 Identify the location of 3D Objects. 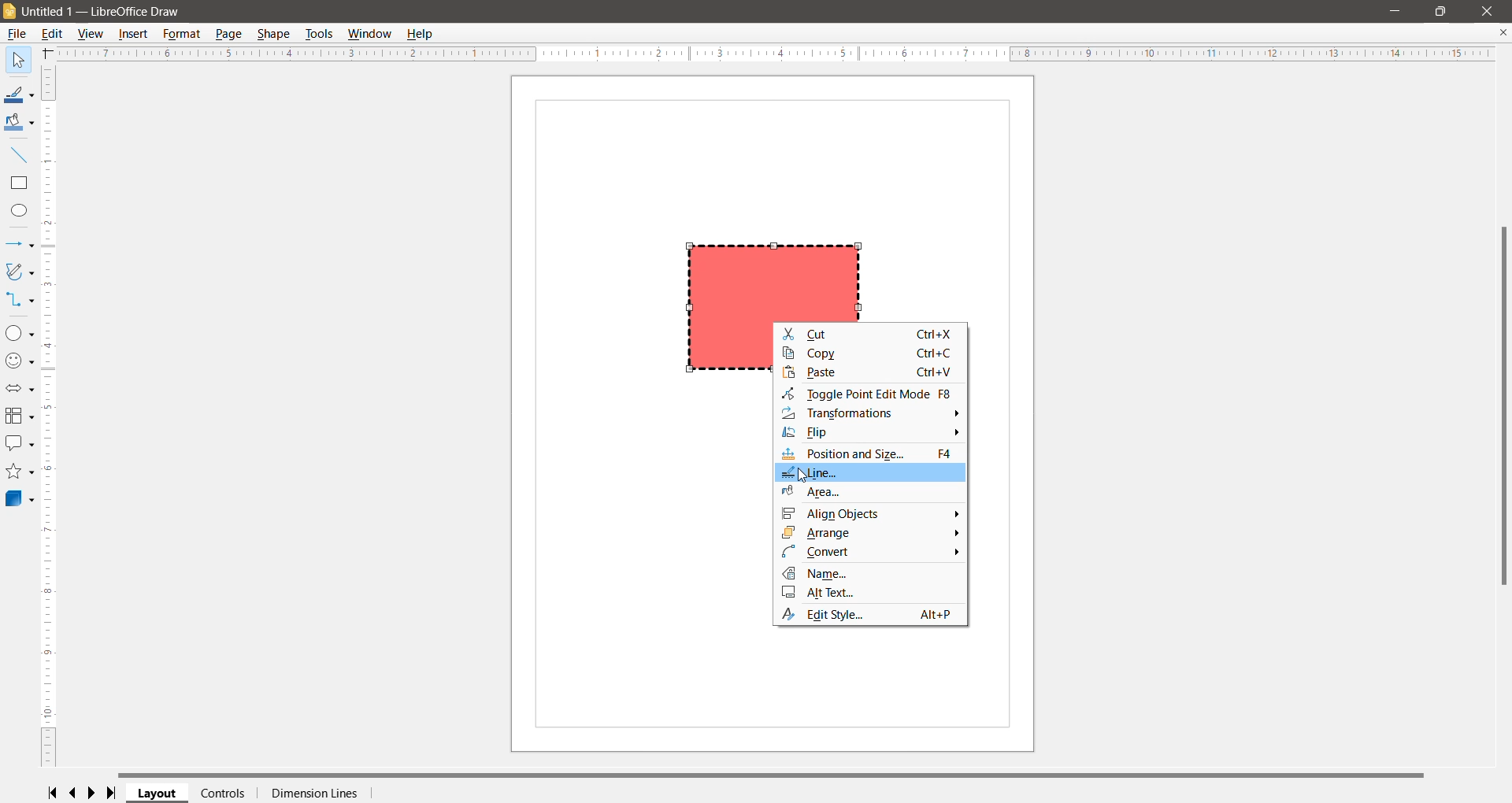
(20, 498).